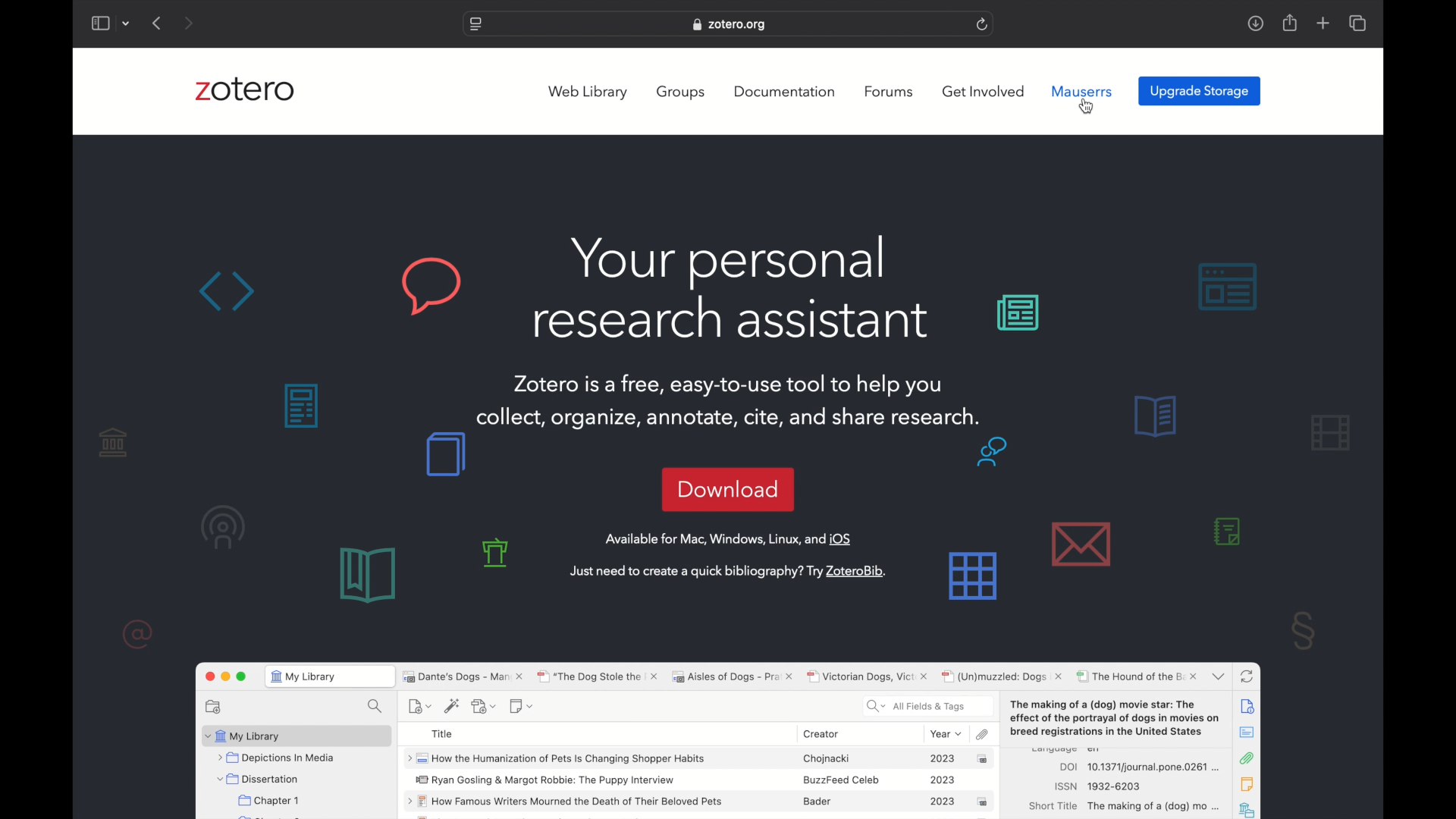 Image resolution: width=1456 pixels, height=819 pixels. What do you see at coordinates (1030, 297) in the screenshot?
I see `background graphics` at bounding box center [1030, 297].